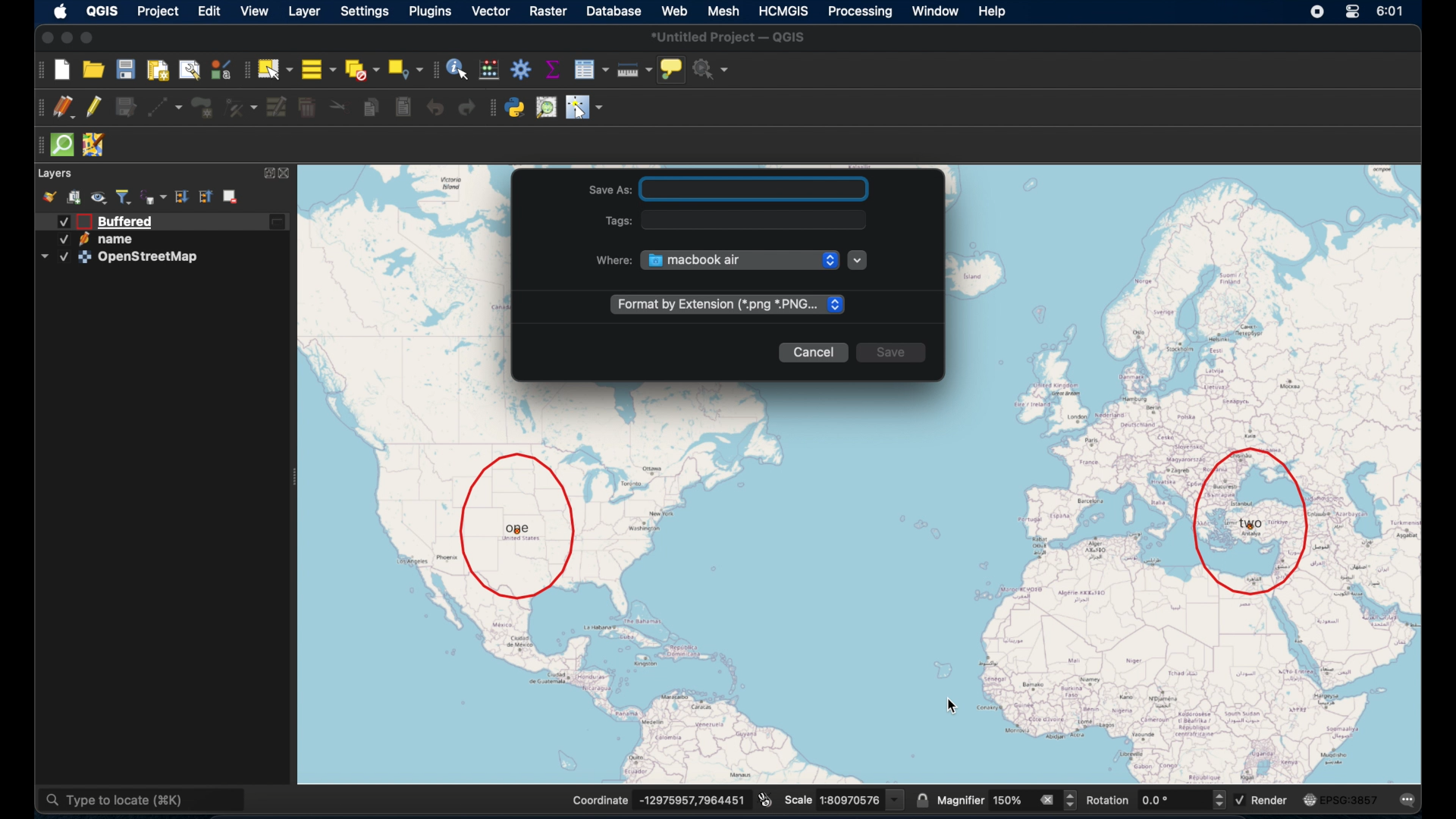  I want to click on python console, so click(515, 108).